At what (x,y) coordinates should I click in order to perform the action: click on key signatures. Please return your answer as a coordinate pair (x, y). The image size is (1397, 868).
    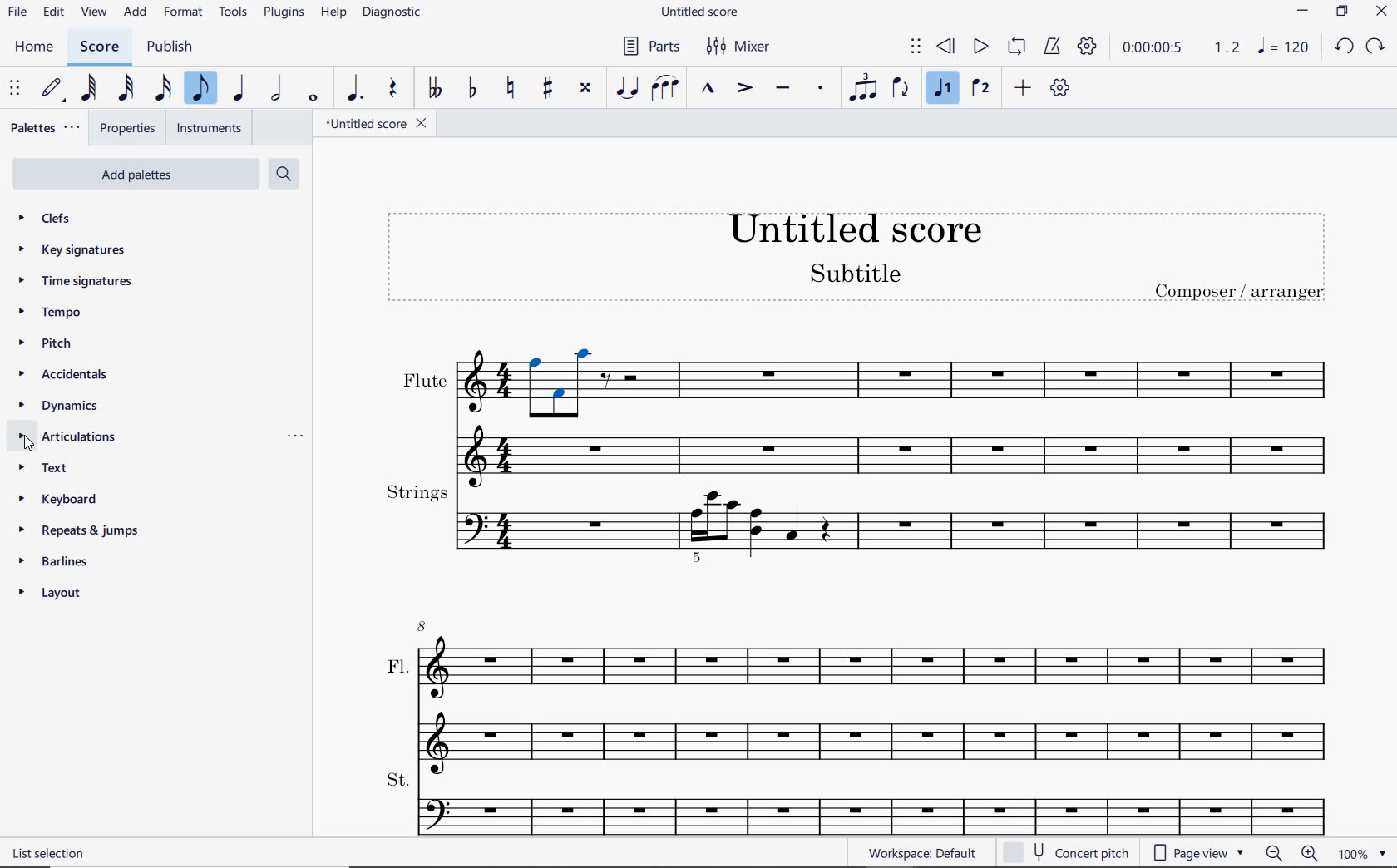
    Looking at the image, I should click on (76, 253).